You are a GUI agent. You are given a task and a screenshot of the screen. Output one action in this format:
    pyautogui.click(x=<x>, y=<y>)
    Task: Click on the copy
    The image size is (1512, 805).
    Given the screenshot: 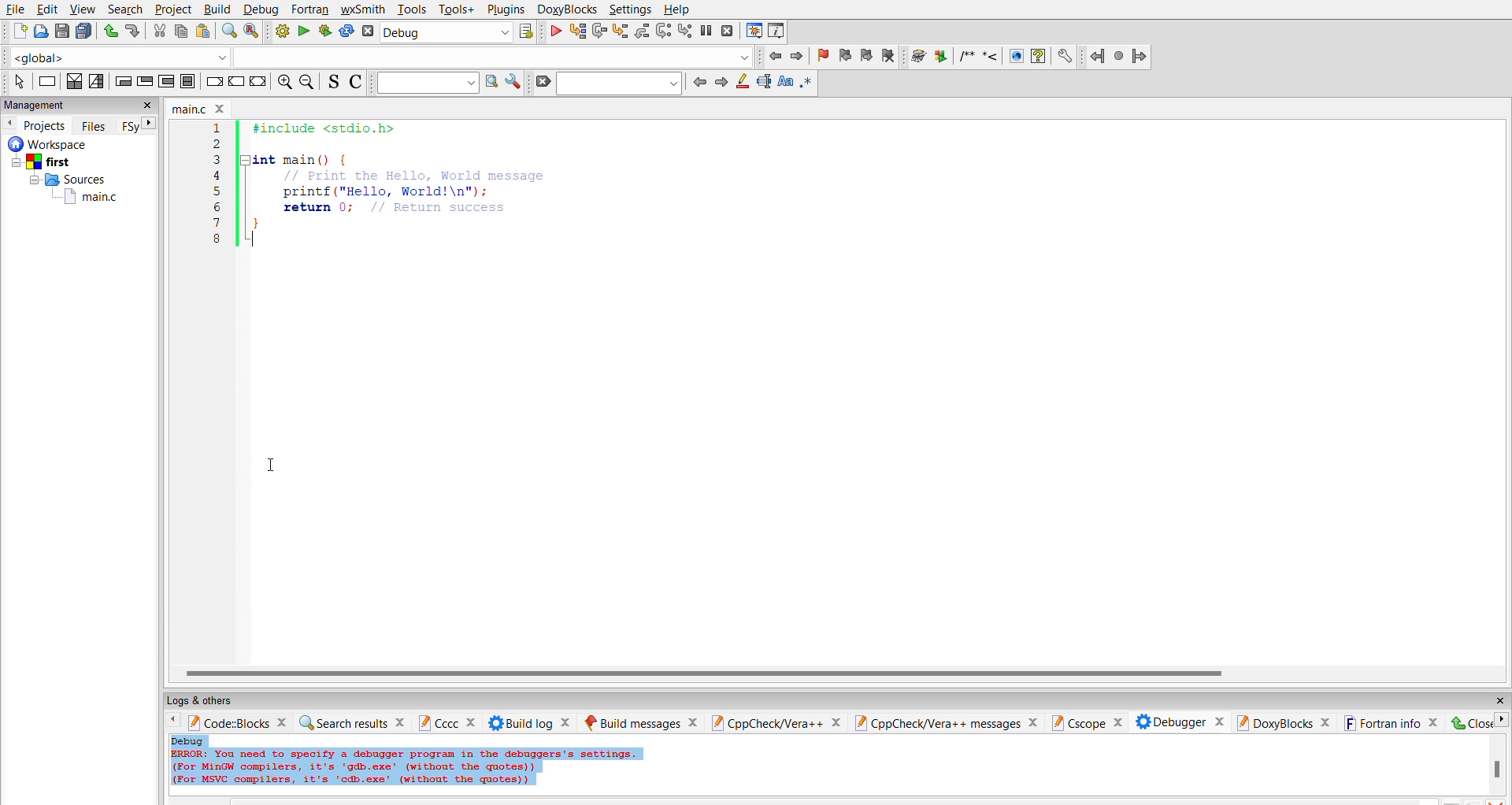 What is the action you would take?
    pyautogui.click(x=182, y=32)
    